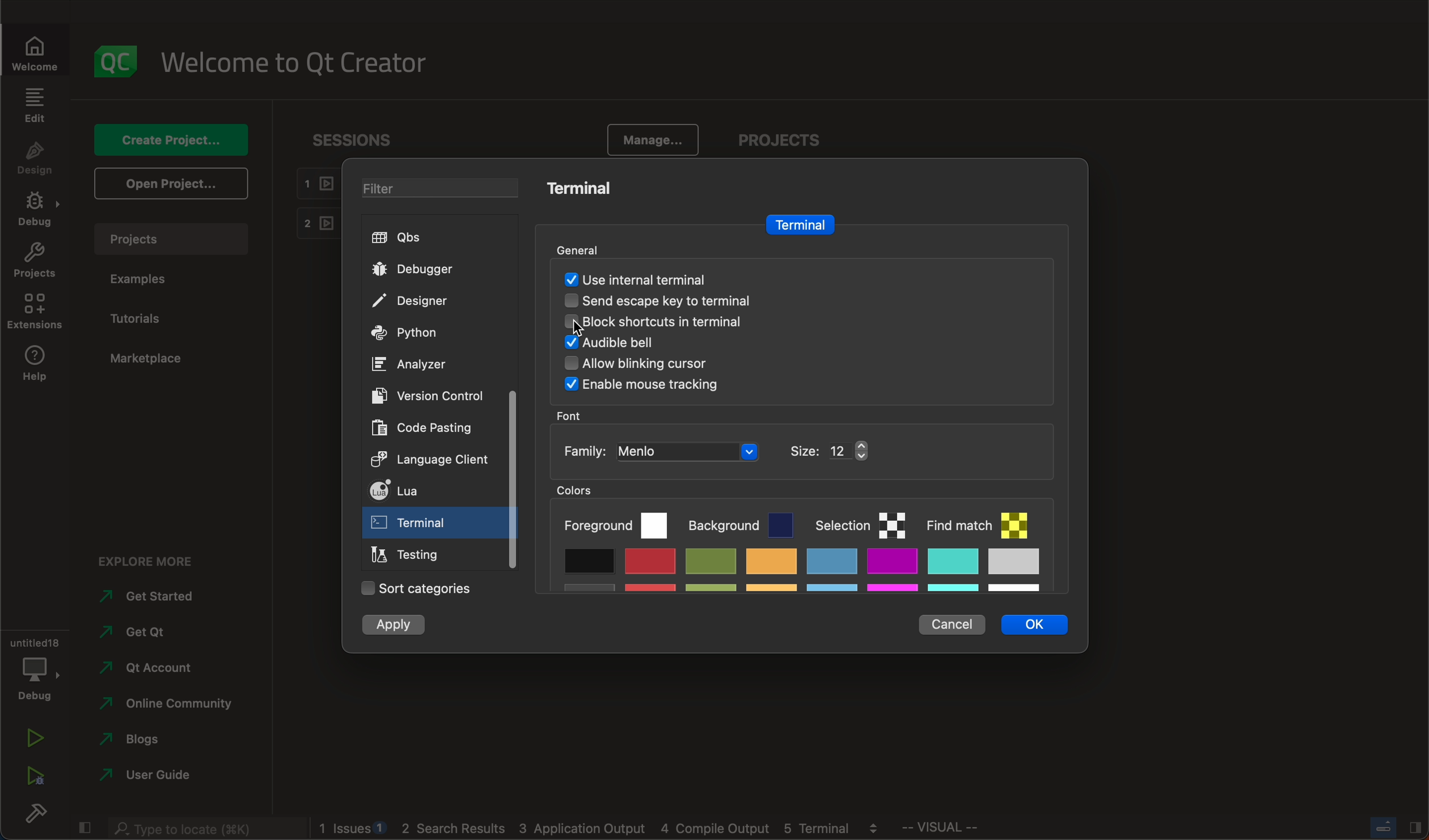 The height and width of the screenshot is (840, 1429). What do you see at coordinates (655, 365) in the screenshot?
I see `` at bounding box center [655, 365].